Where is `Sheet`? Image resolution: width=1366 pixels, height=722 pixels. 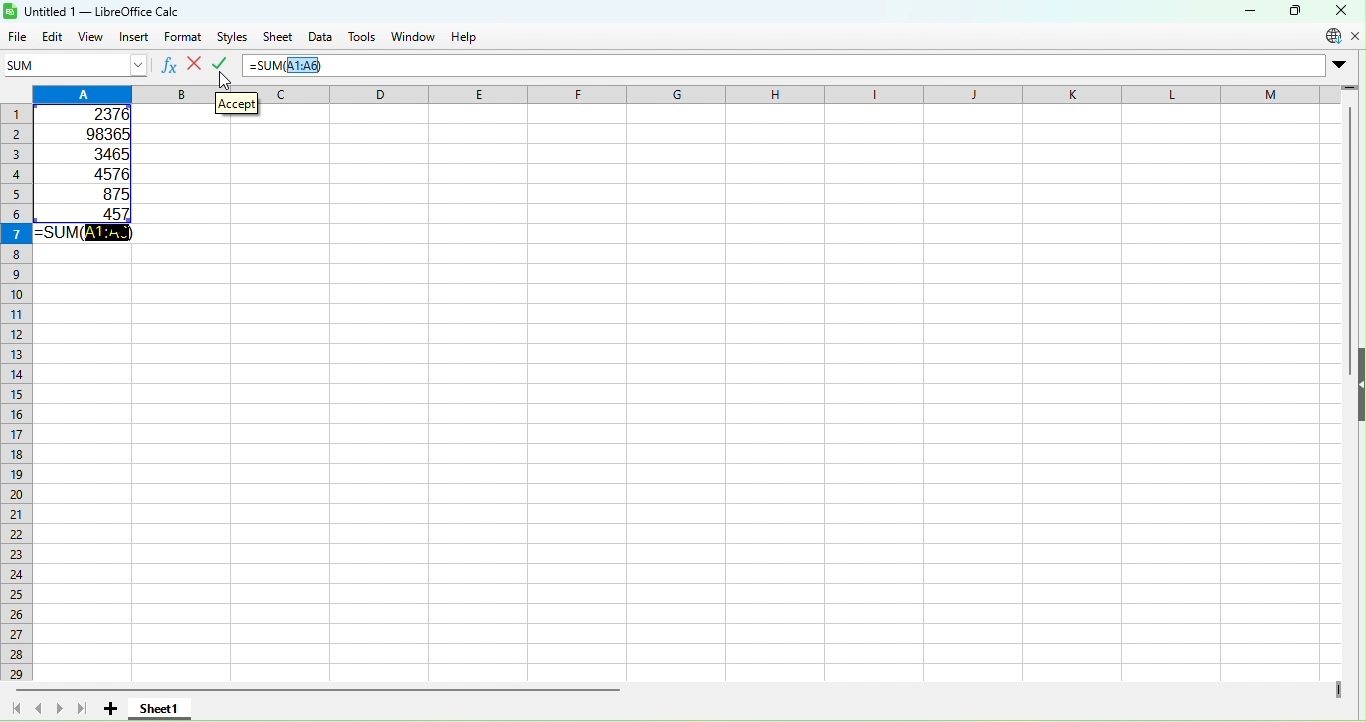
Sheet is located at coordinates (280, 39).